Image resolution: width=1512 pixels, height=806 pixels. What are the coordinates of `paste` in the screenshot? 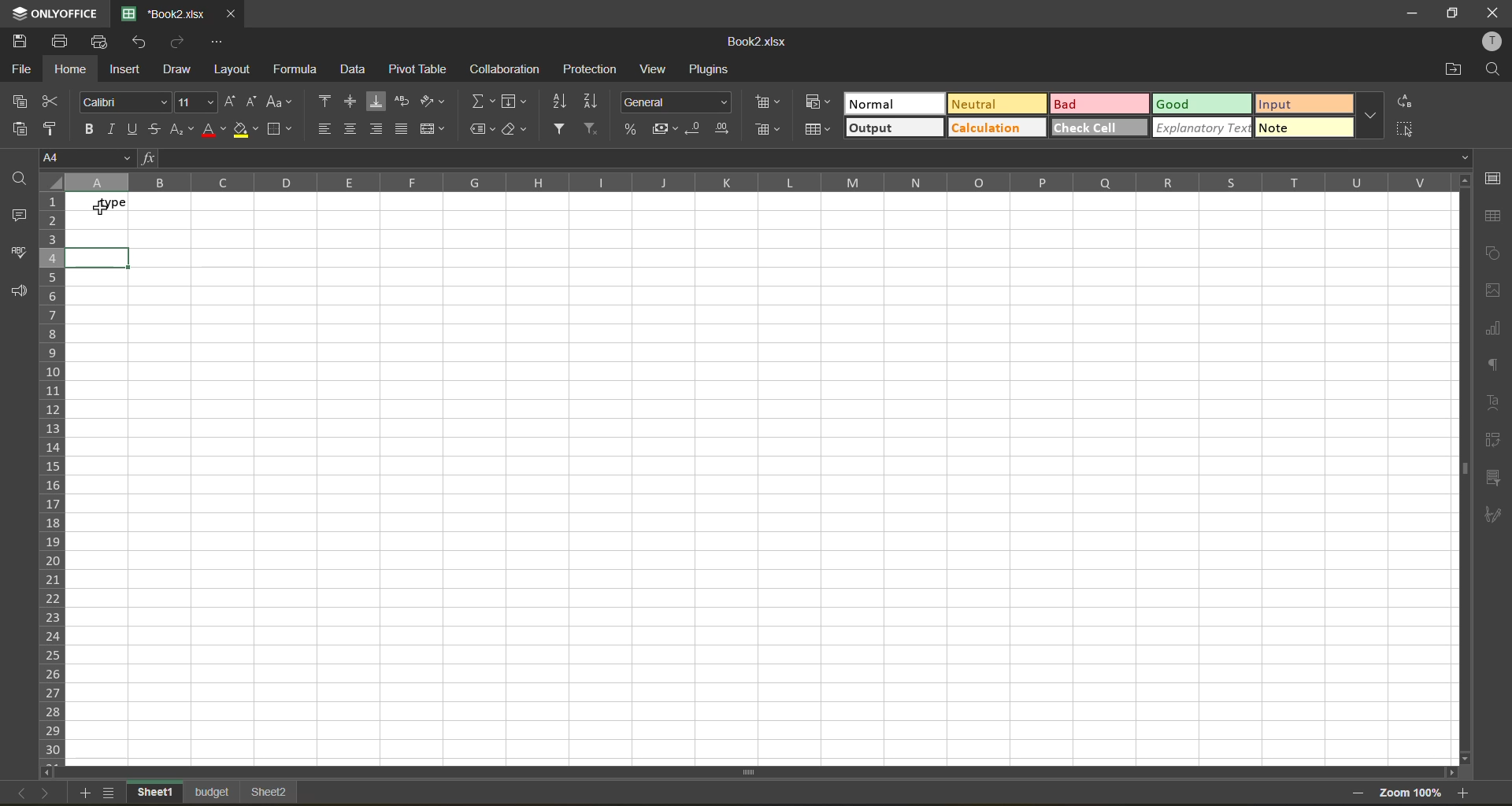 It's located at (17, 130).